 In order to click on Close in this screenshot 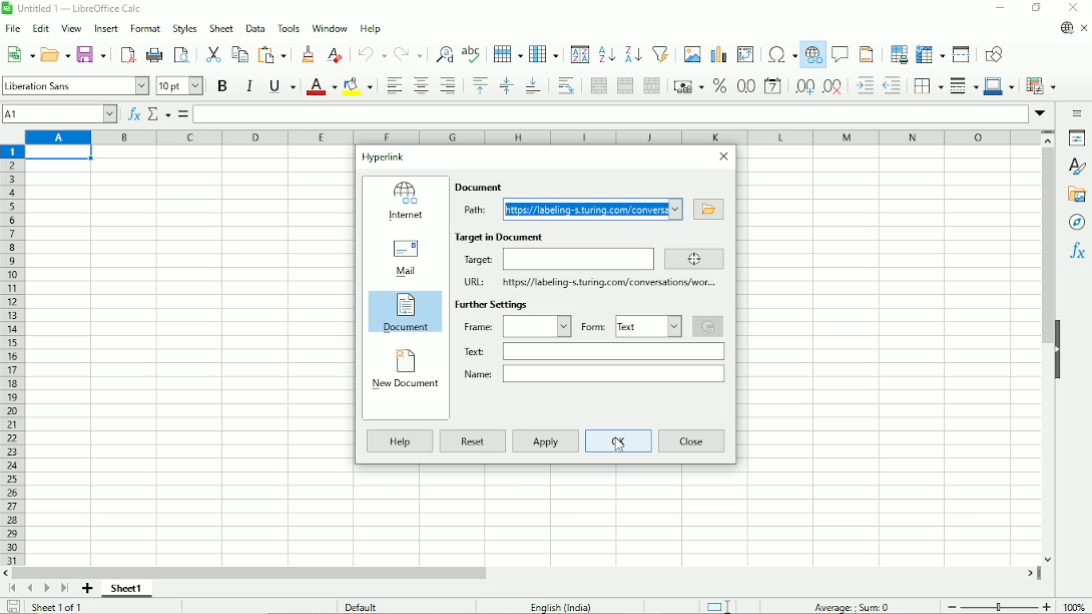, I will do `click(692, 441)`.